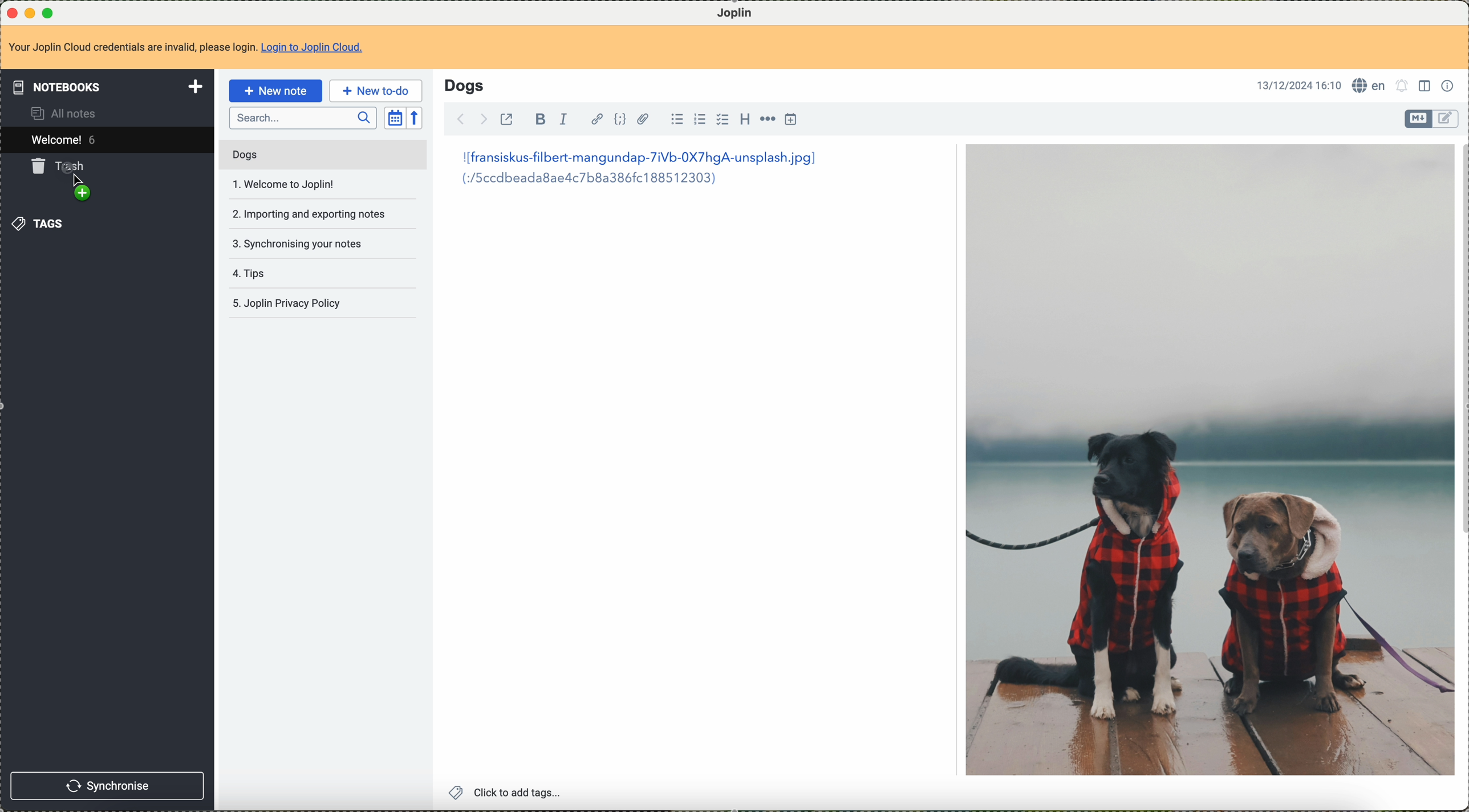 The height and width of the screenshot is (812, 1469). I want to click on Joplin, so click(733, 12).